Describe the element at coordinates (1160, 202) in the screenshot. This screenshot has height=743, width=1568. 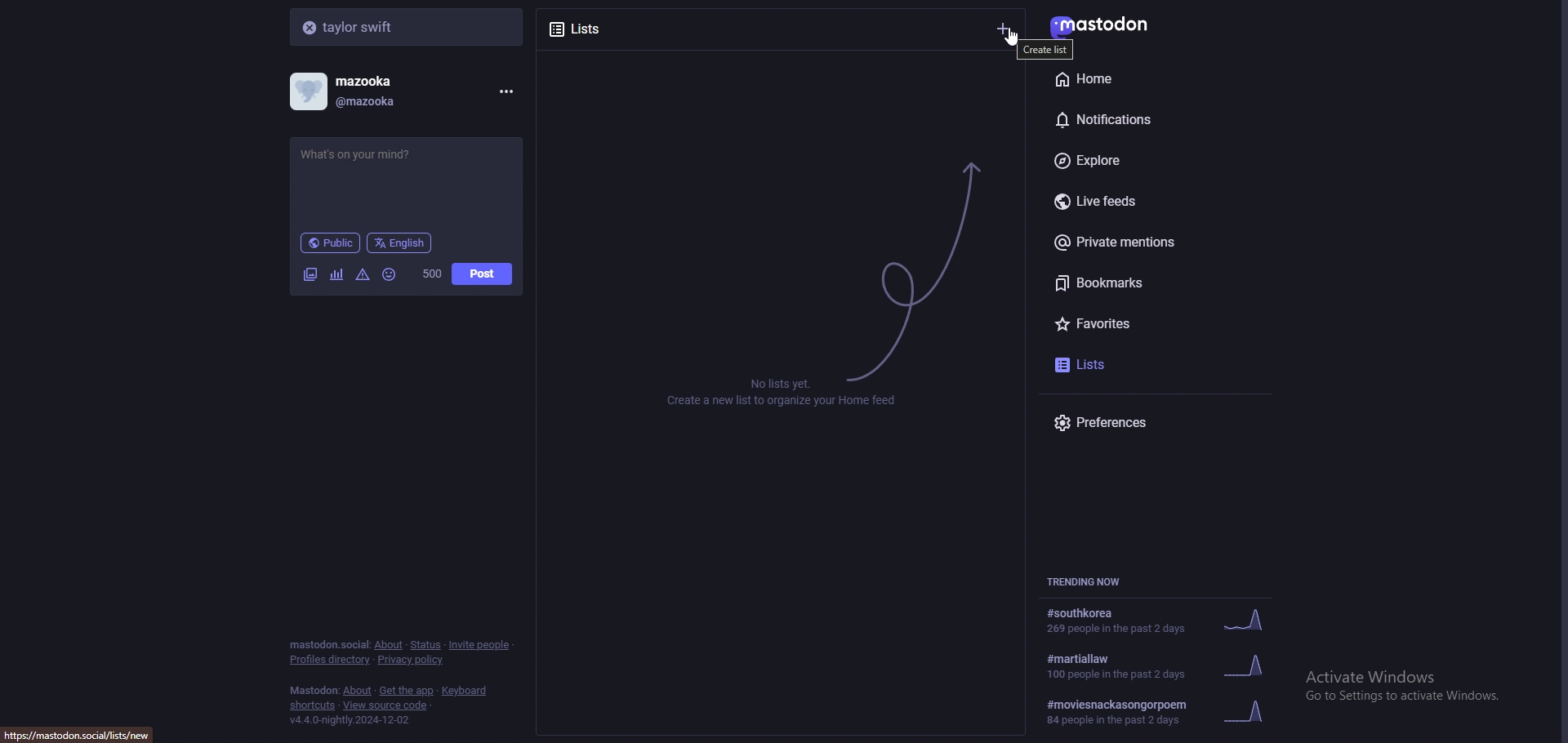
I see `live feeds` at that location.